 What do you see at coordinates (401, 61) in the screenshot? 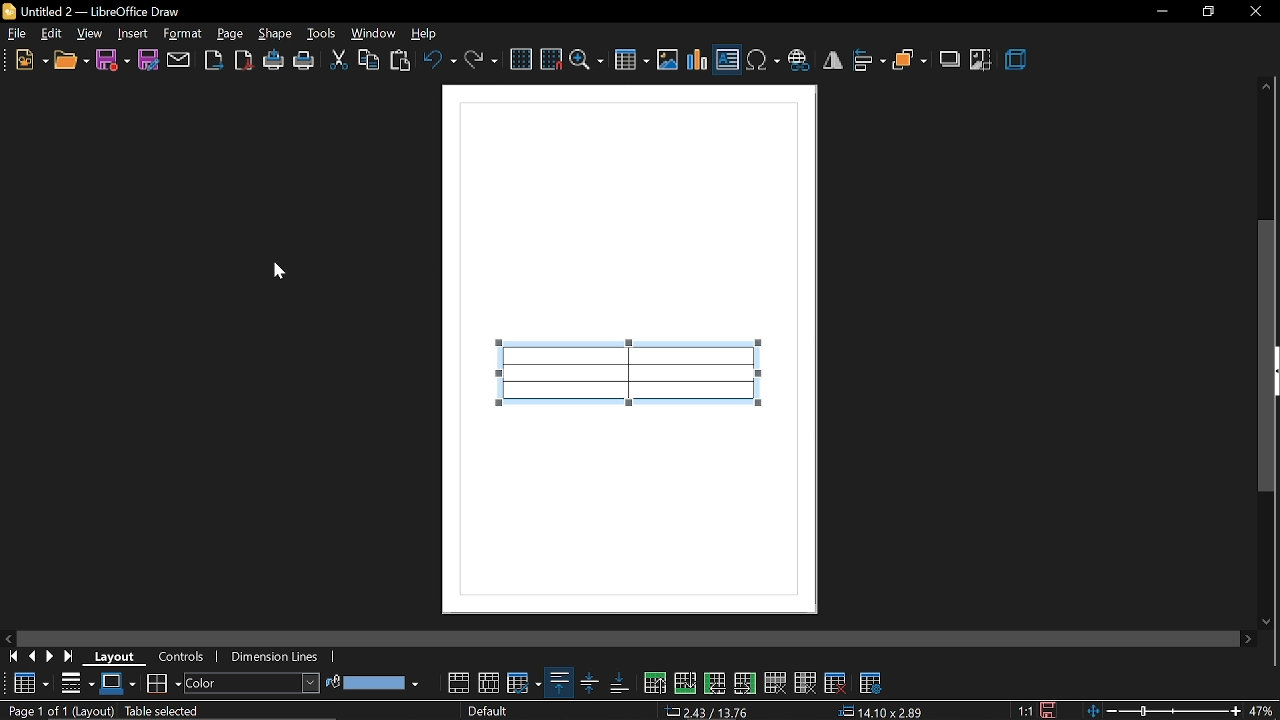
I see `paste` at bounding box center [401, 61].